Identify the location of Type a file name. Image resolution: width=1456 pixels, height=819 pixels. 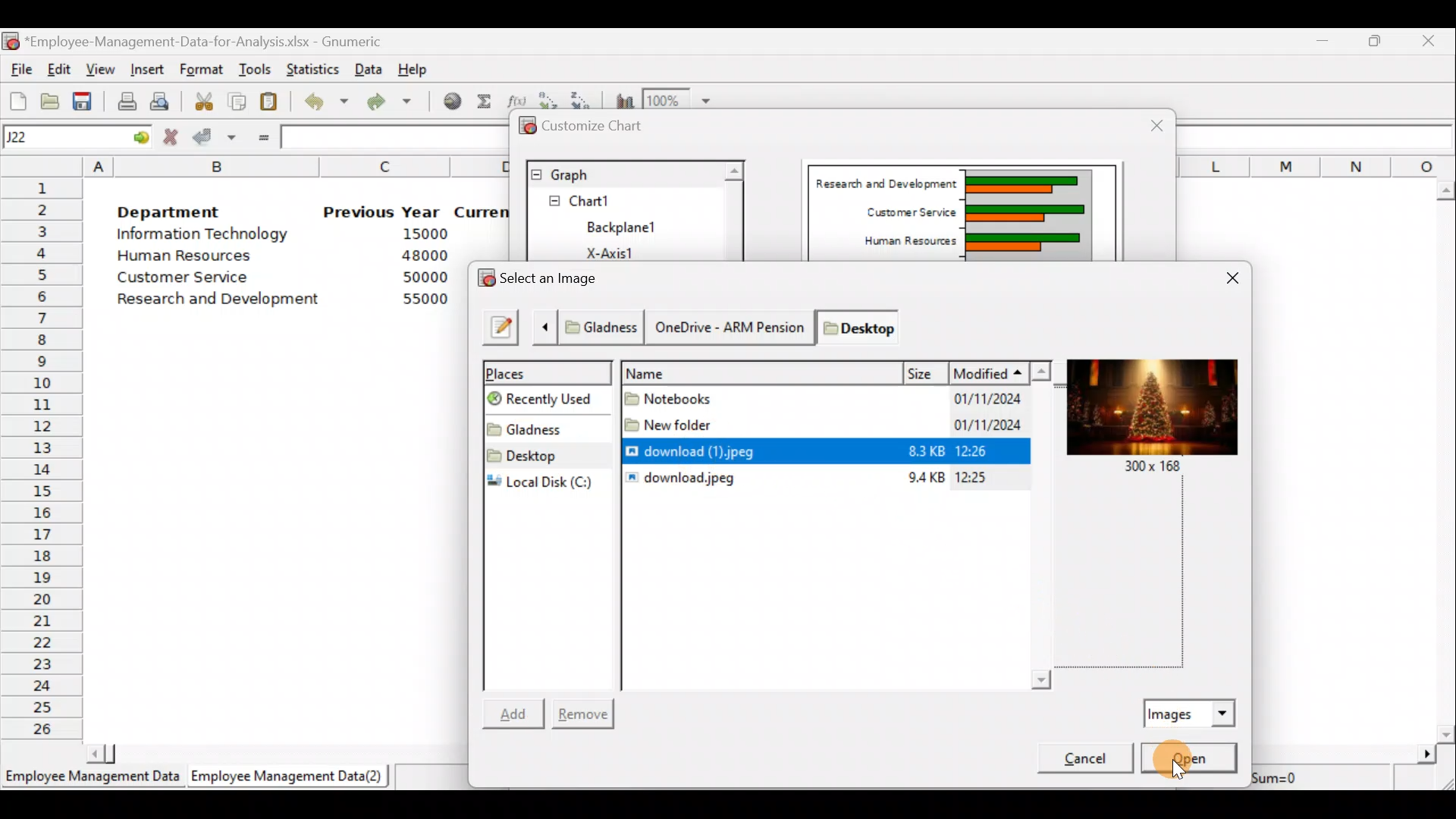
(500, 327).